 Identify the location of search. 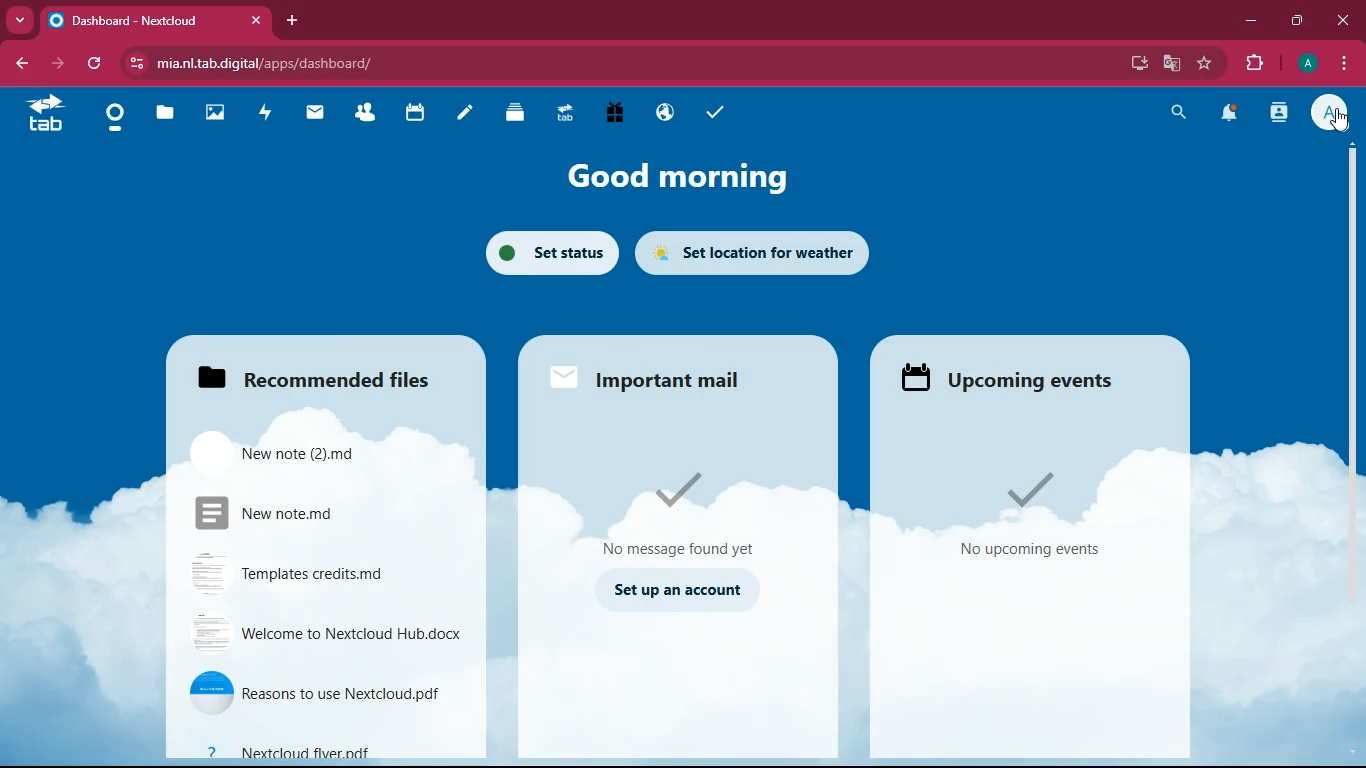
(1177, 112).